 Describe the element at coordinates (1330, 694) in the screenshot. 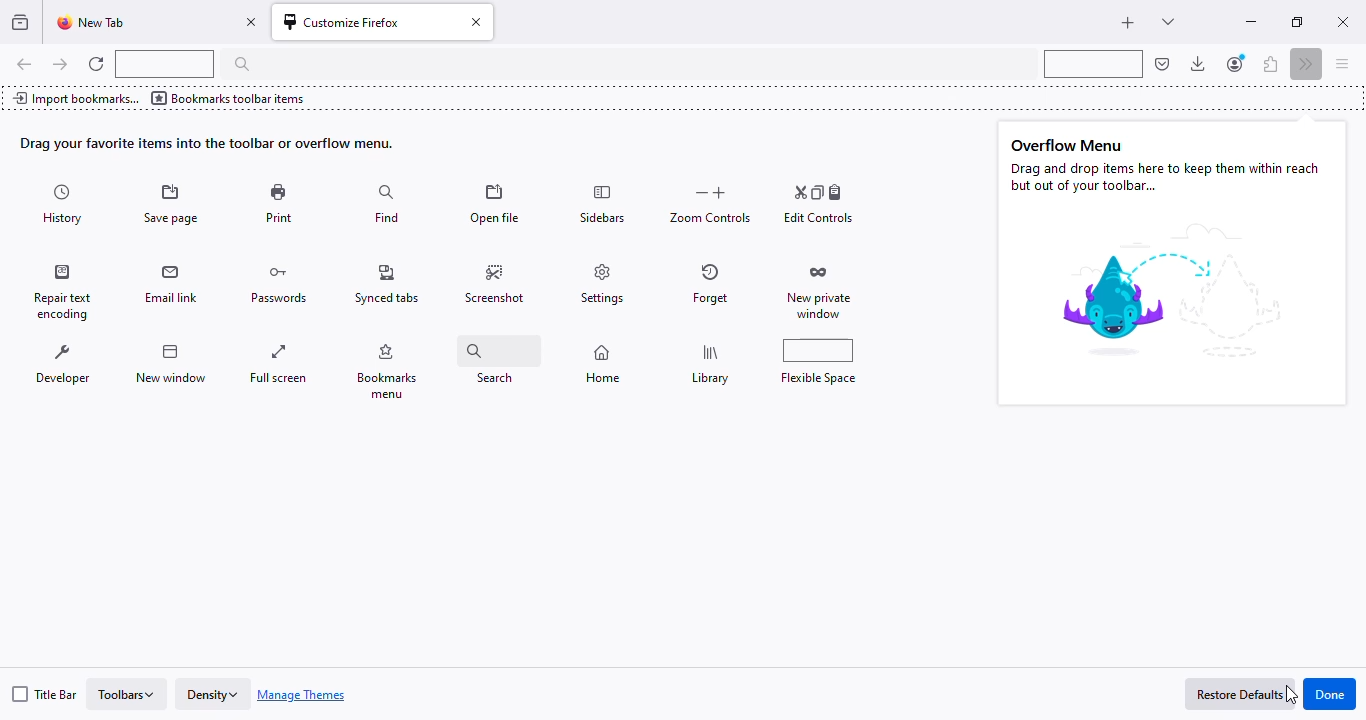

I see `done` at that location.